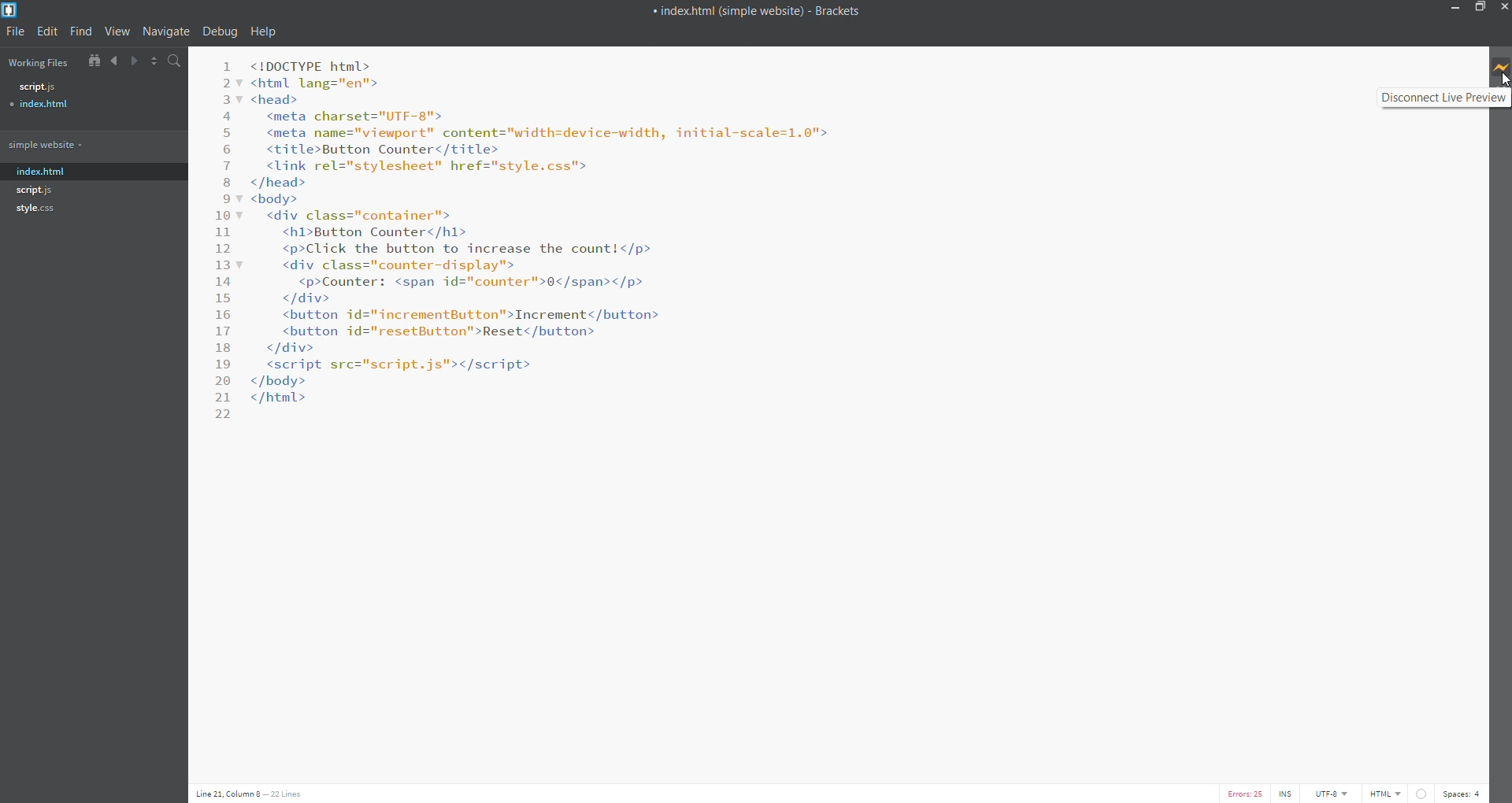 This screenshot has height=803, width=1512. What do you see at coordinates (758, 12) in the screenshot?
I see `« index.html (simple website) - Brackets` at bounding box center [758, 12].